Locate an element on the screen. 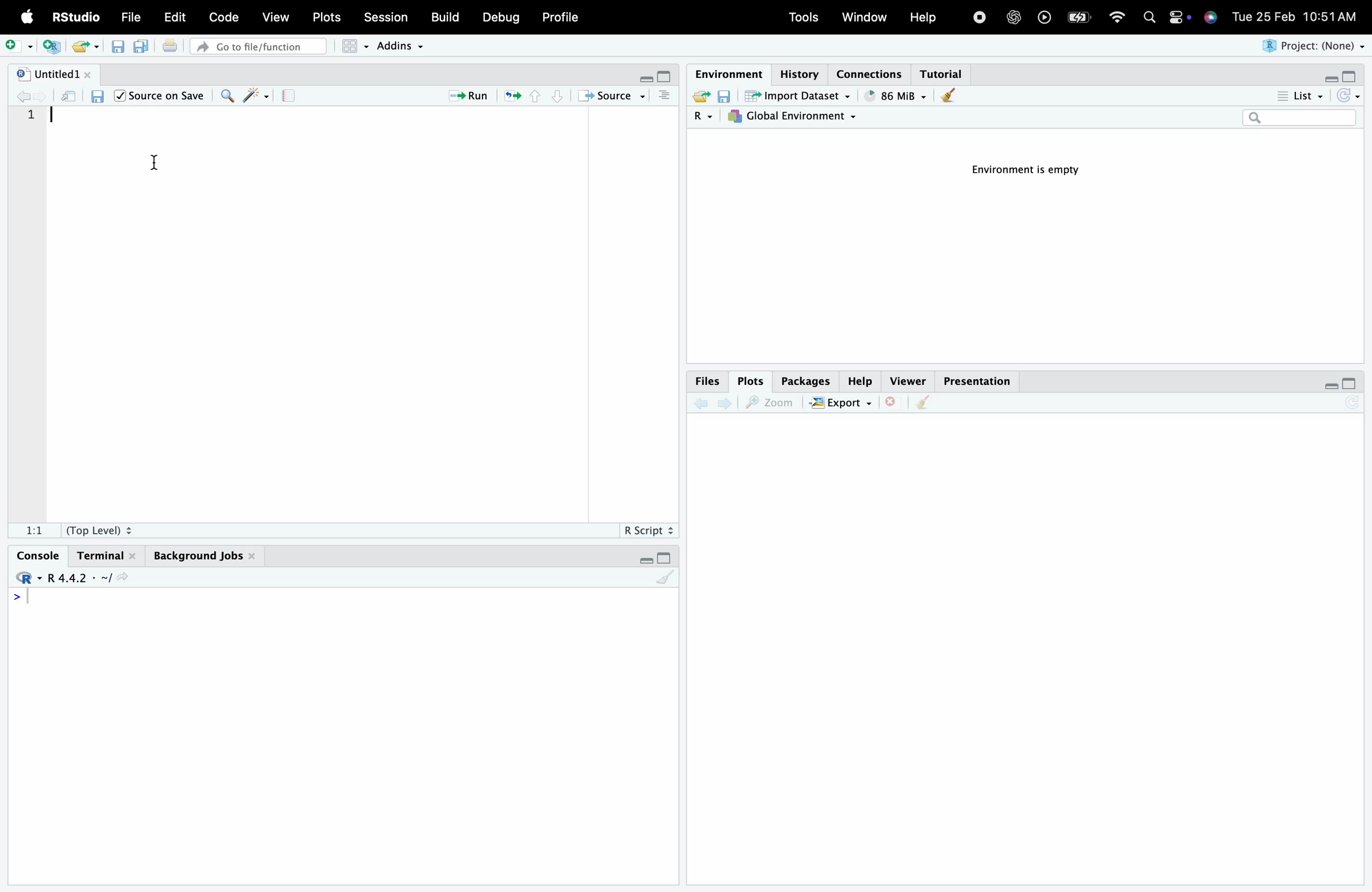 This screenshot has width=1372, height=892. Run is located at coordinates (469, 96).